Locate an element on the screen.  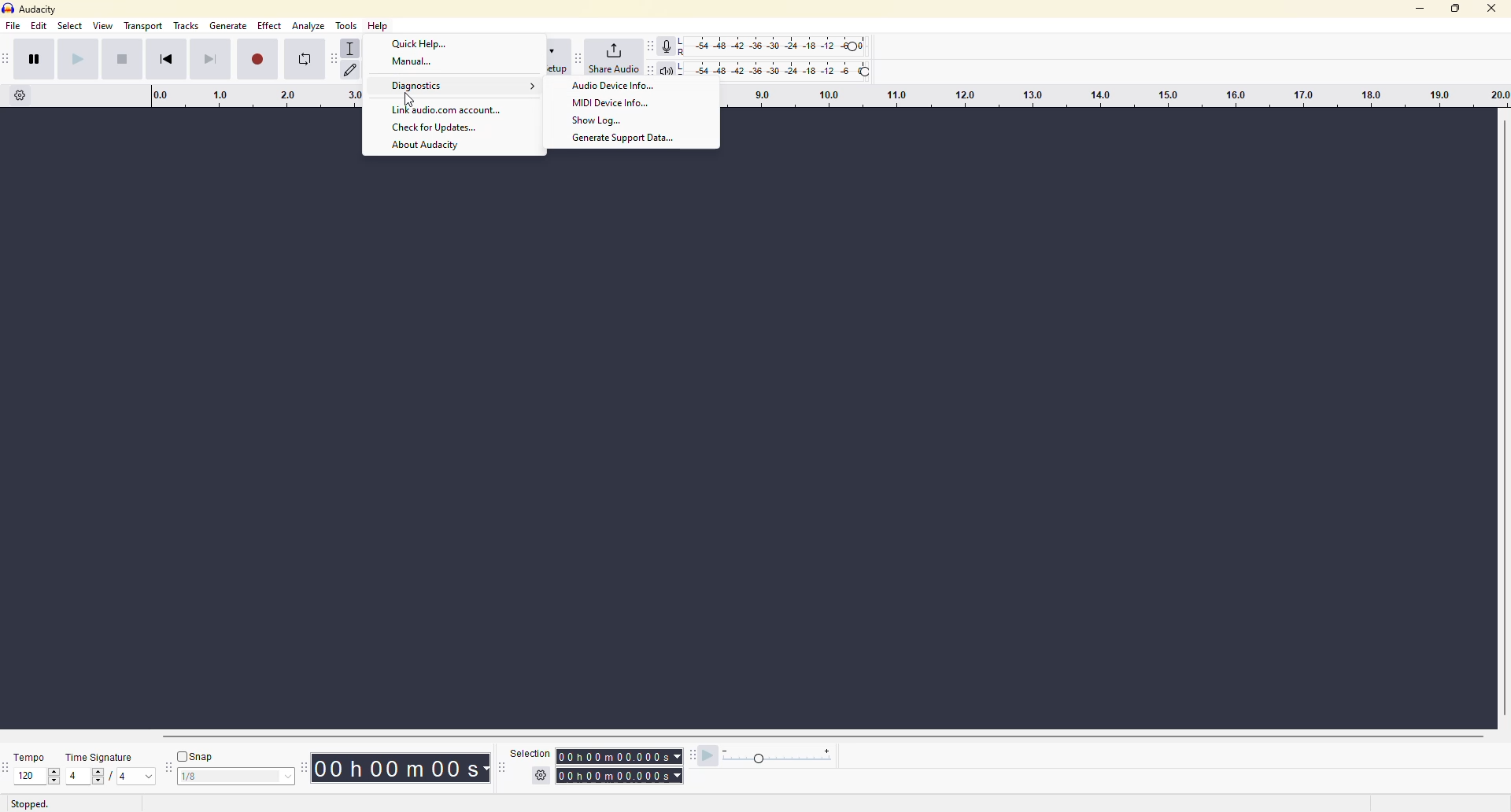
audacity tools toolbar is located at coordinates (334, 58).